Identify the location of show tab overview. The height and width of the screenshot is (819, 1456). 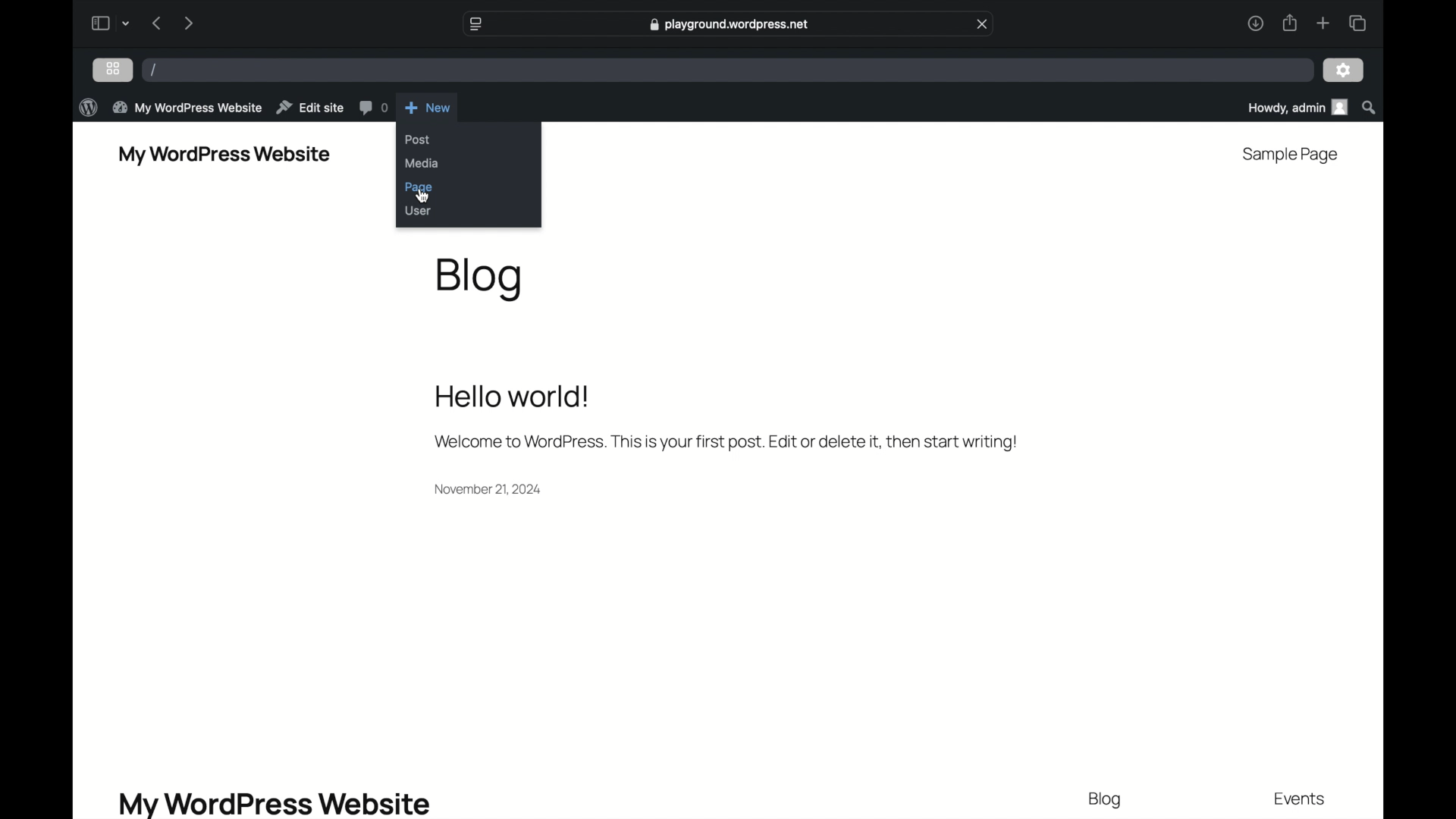
(1357, 23).